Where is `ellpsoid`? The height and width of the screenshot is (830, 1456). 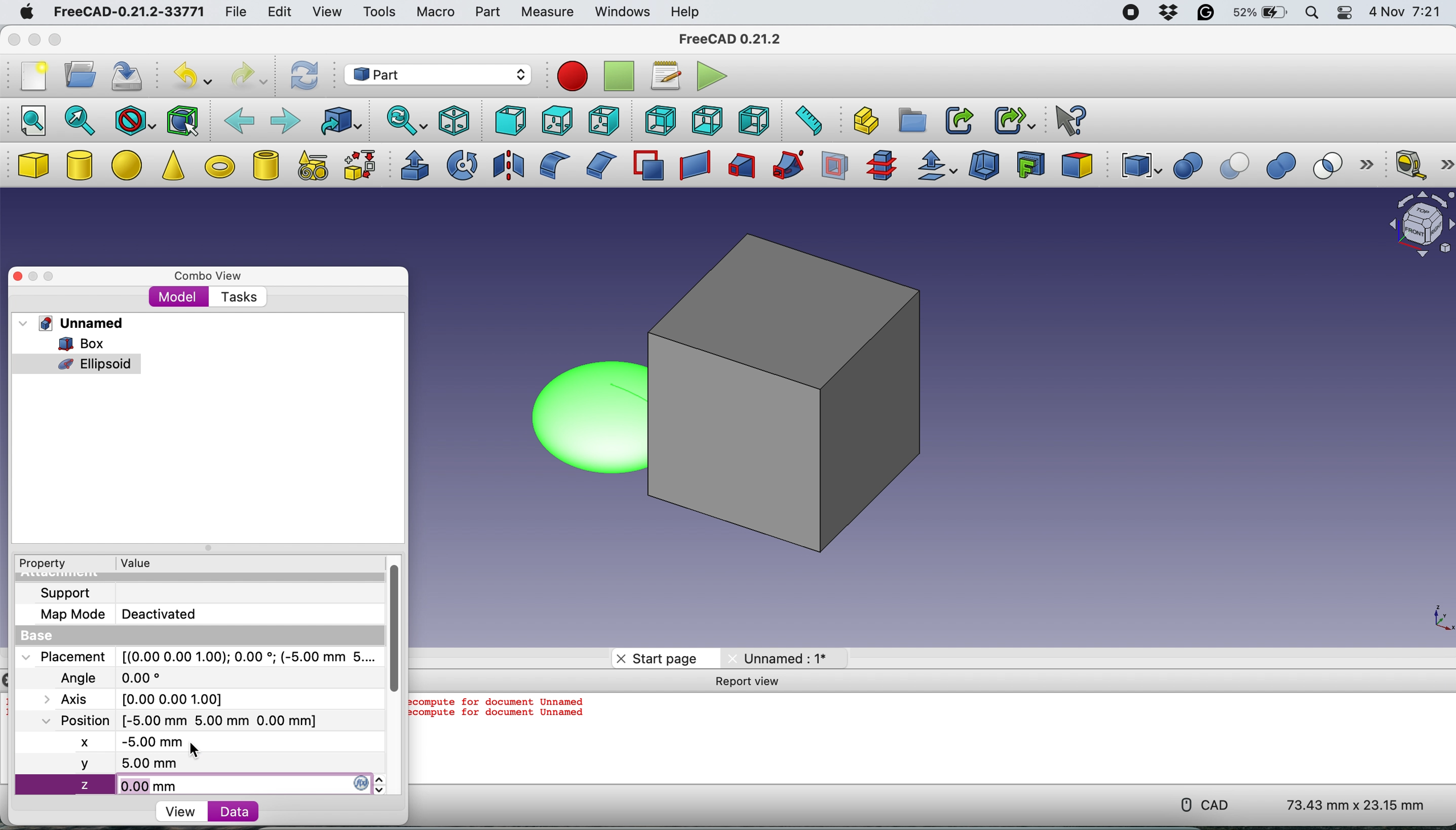 ellpsoid is located at coordinates (78, 363).